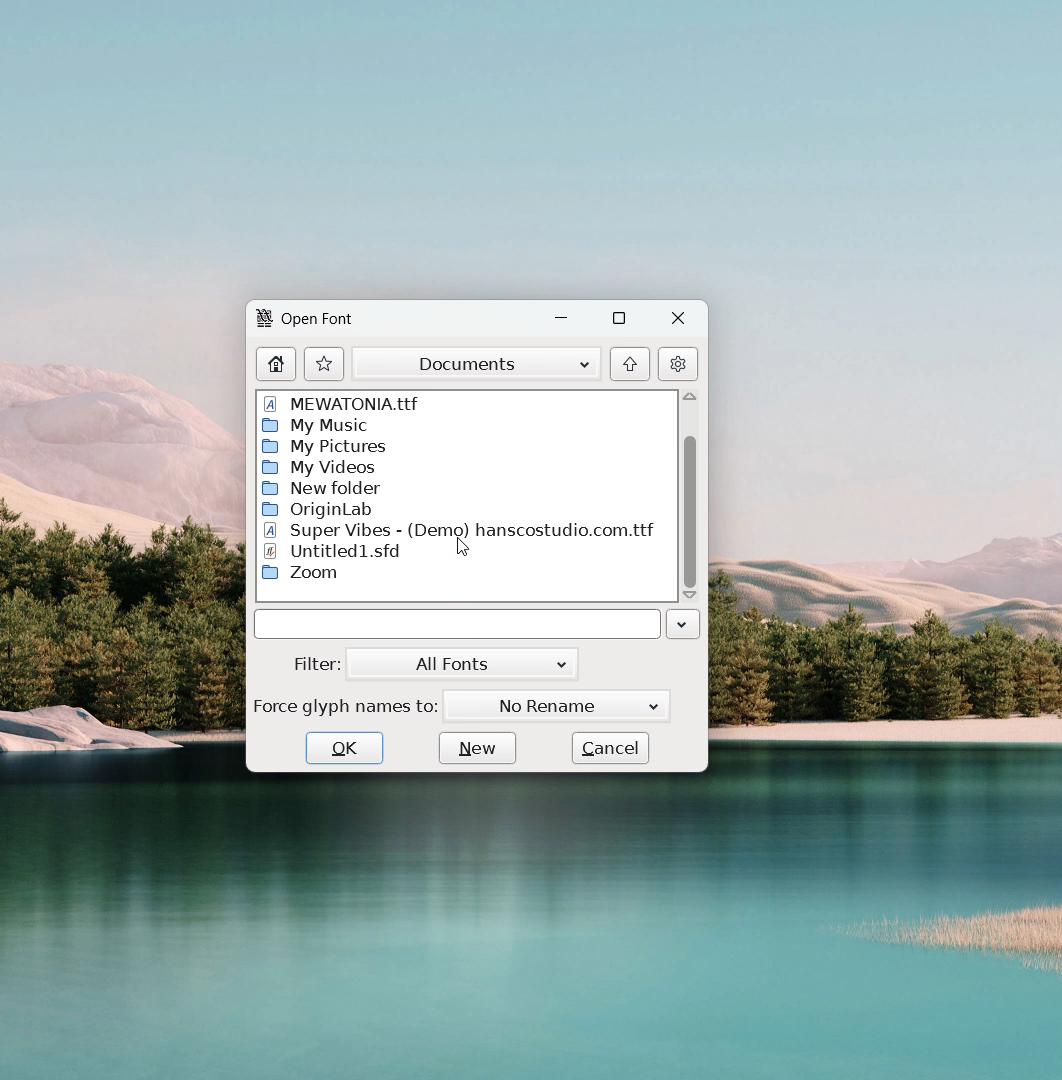 This screenshot has height=1080, width=1062. Describe the element at coordinates (479, 363) in the screenshot. I see `documents` at that location.